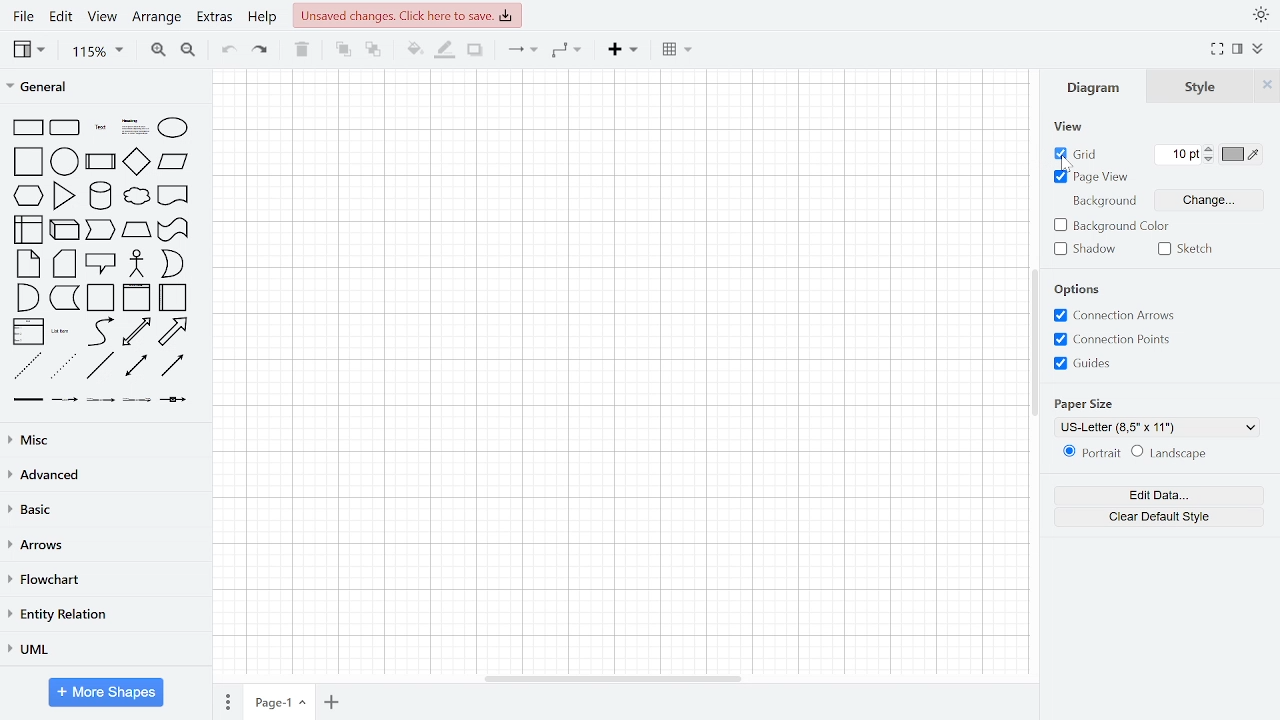 The image size is (1280, 720). What do you see at coordinates (28, 333) in the screenshot?
I see `list` at bounding box center [28, 333].